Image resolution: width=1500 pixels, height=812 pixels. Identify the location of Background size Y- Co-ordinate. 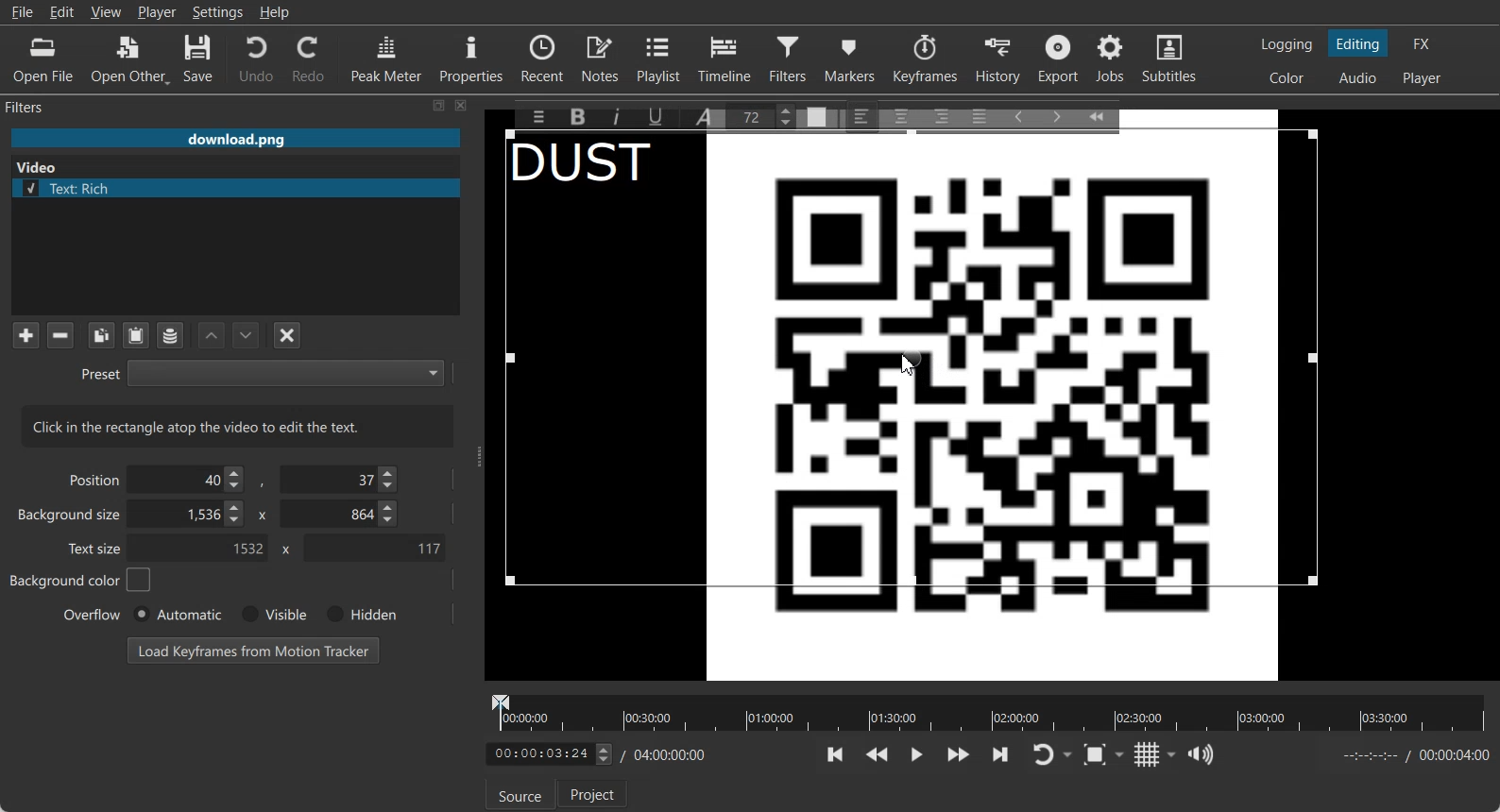
(341, 516).